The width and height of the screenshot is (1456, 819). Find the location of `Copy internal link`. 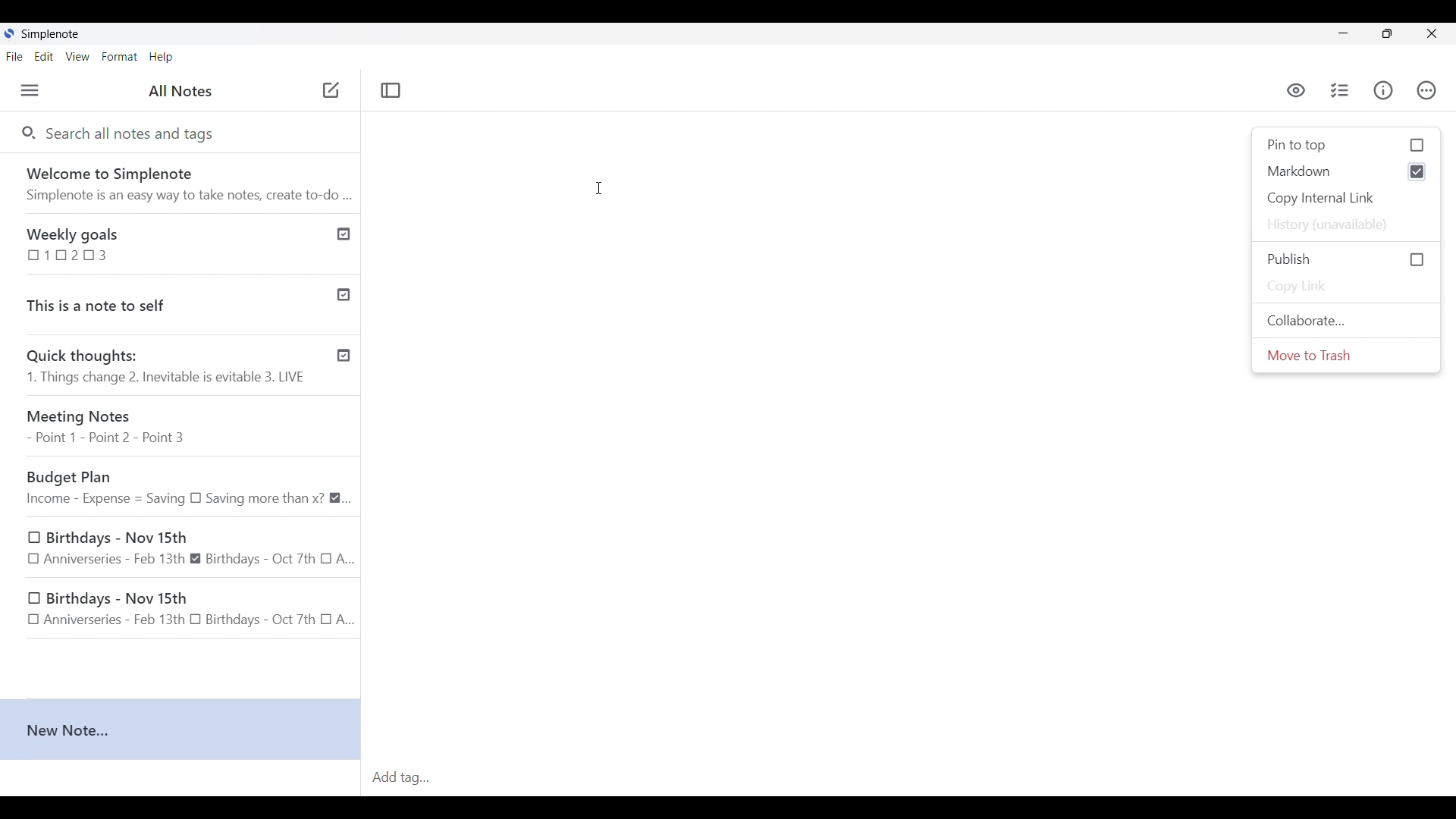

Copy internal link is located at coordinates (1346, 199).